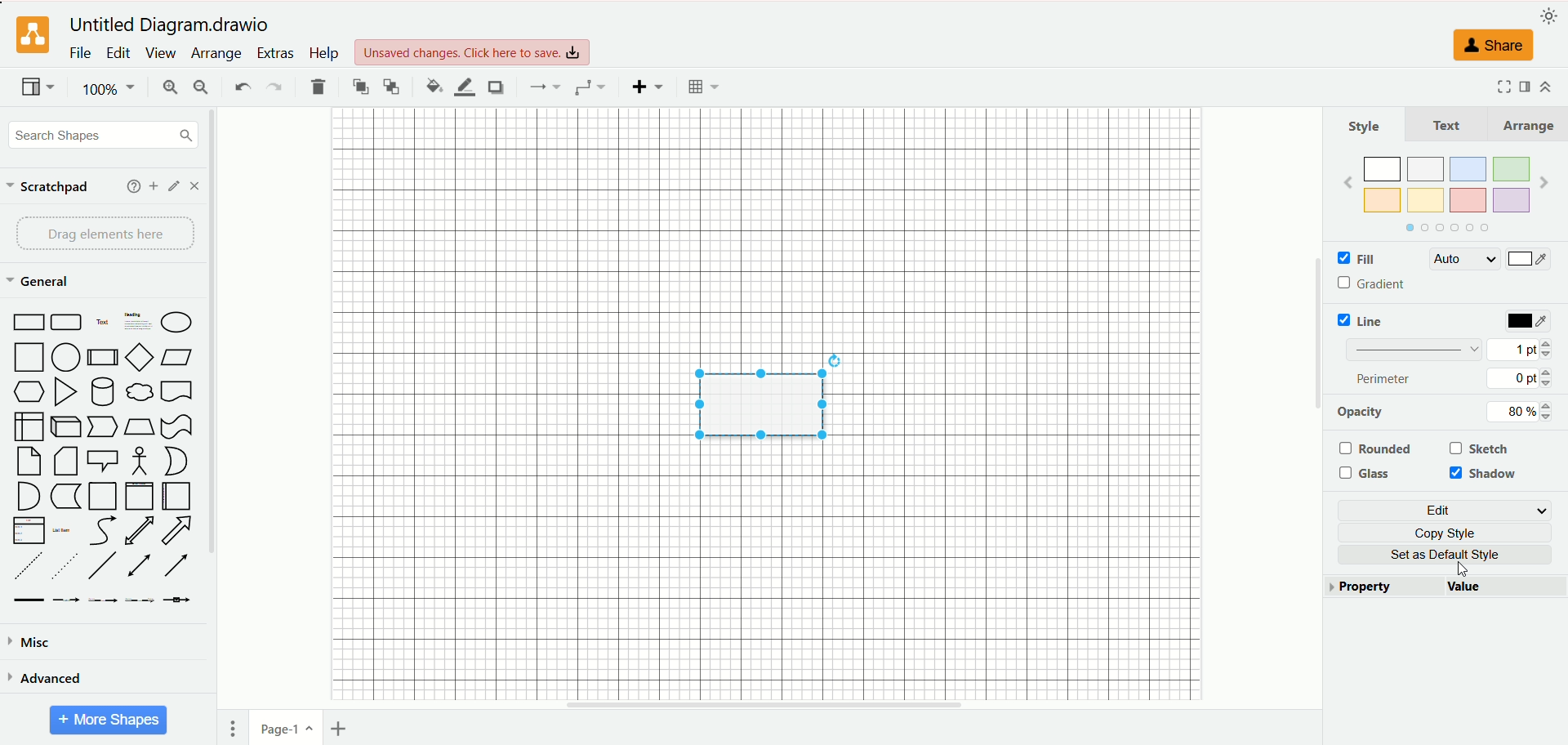 The image size is (1568, 745). What do you see at coordinates (318, 87) in the screenshot?
I see `delete` at bounding box center [318, 87].